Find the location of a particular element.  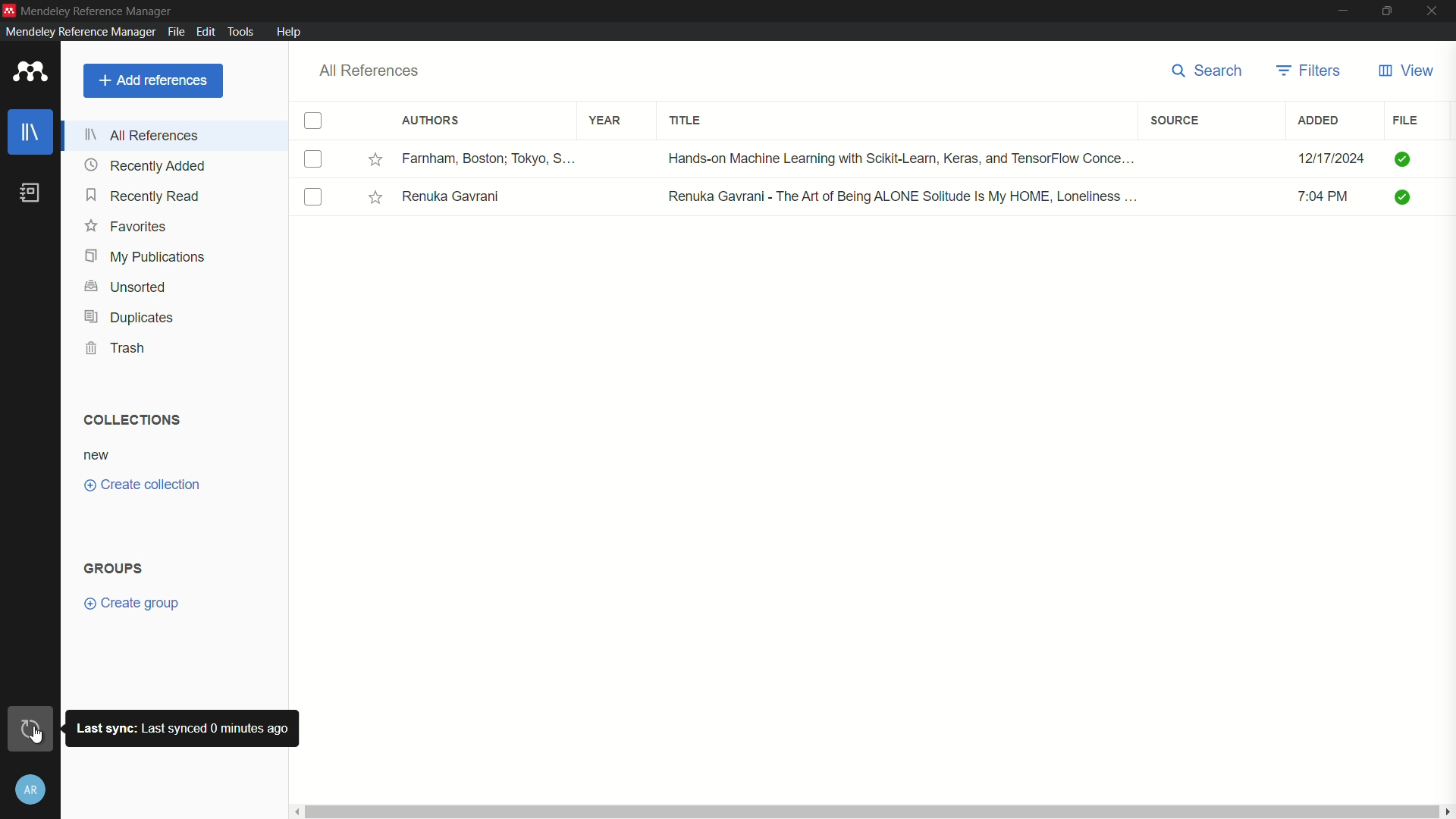

tools menu is located at coordinates (240, 30).